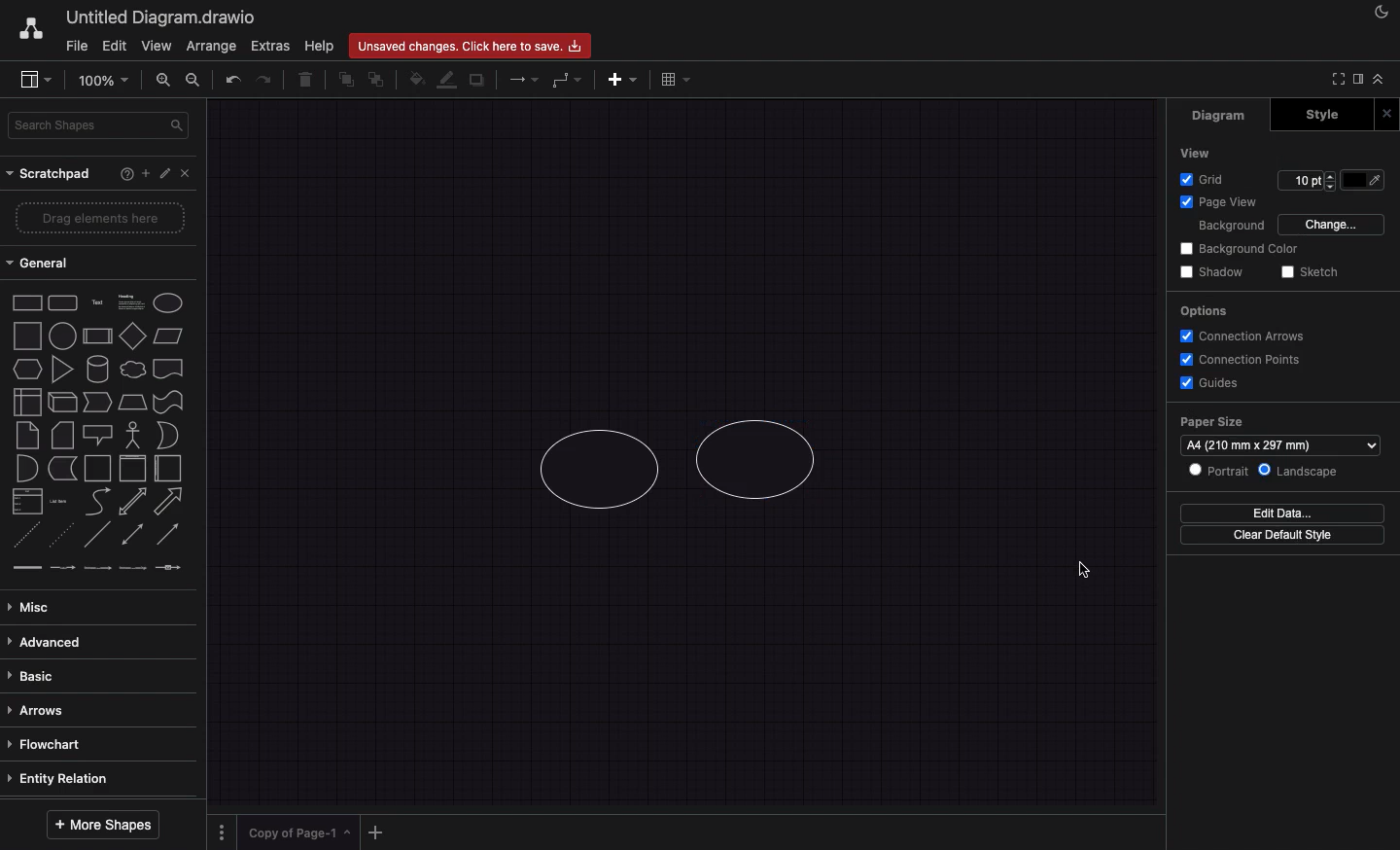 The height and width of the screenshot is (850, 1400). What do you see at coordinates (27, 401) in the screenshot?
I see `internal storage` at bounding box center [27, 401].